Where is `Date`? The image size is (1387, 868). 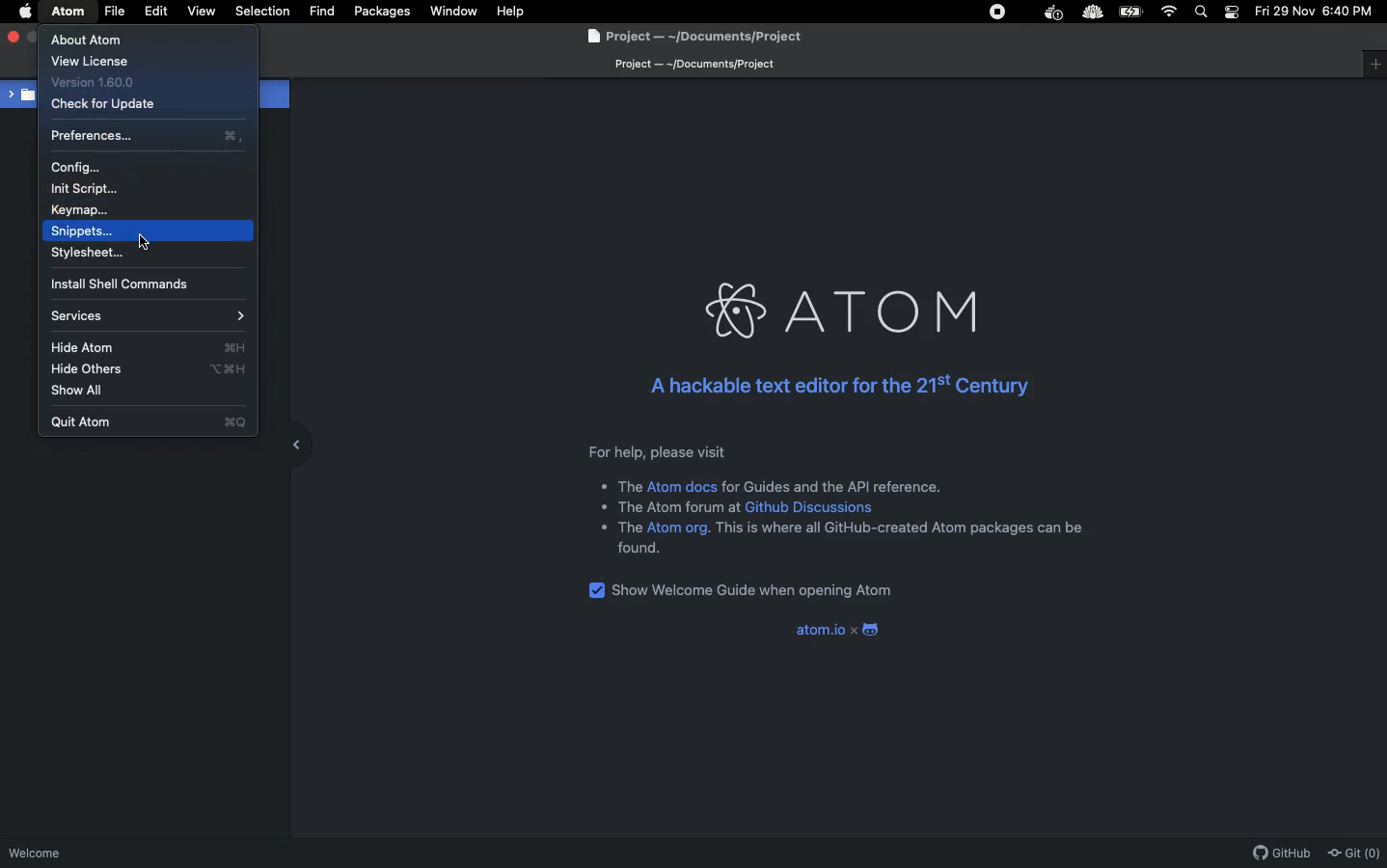 Date is located at coordinates (1285, 12).